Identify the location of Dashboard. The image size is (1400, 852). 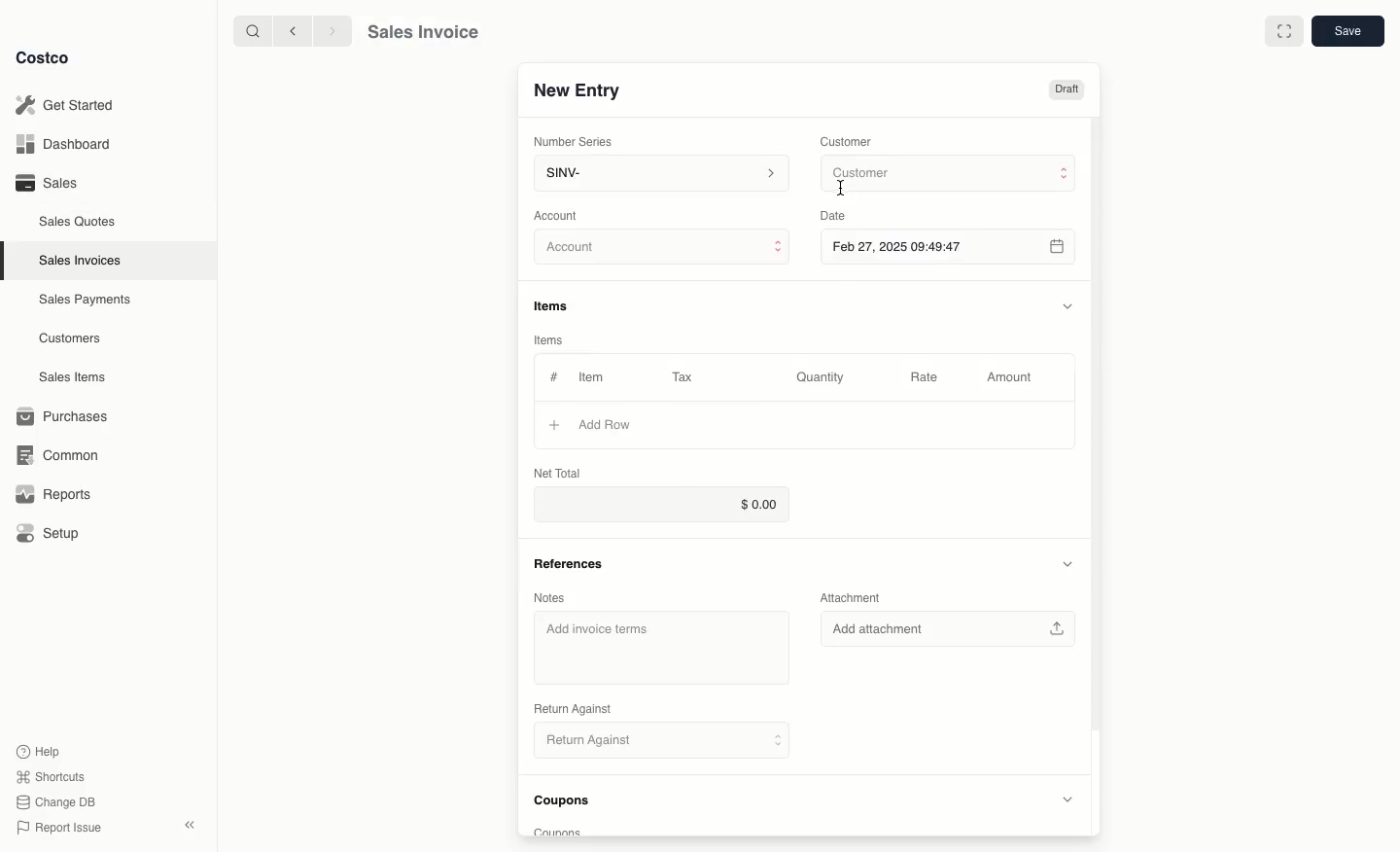
(68, 145).